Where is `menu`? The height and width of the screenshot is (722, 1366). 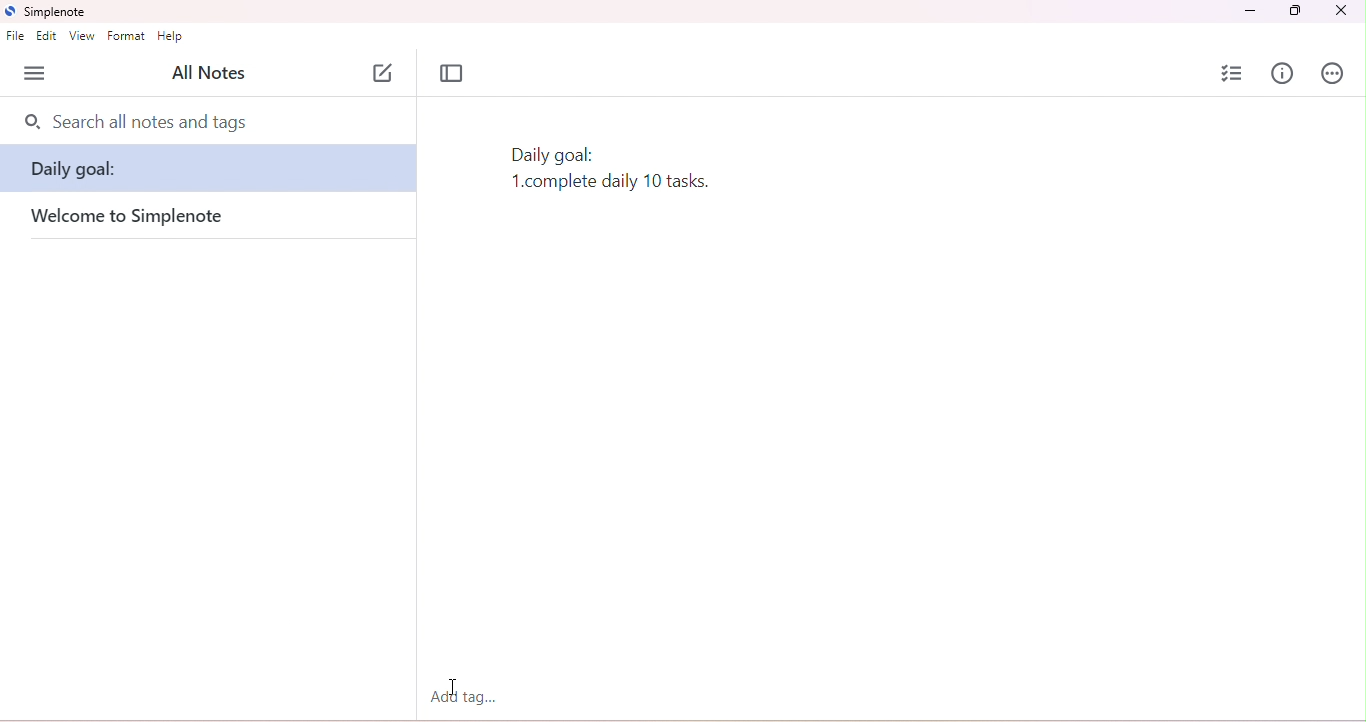 menu is located at coordinates (38, 73).